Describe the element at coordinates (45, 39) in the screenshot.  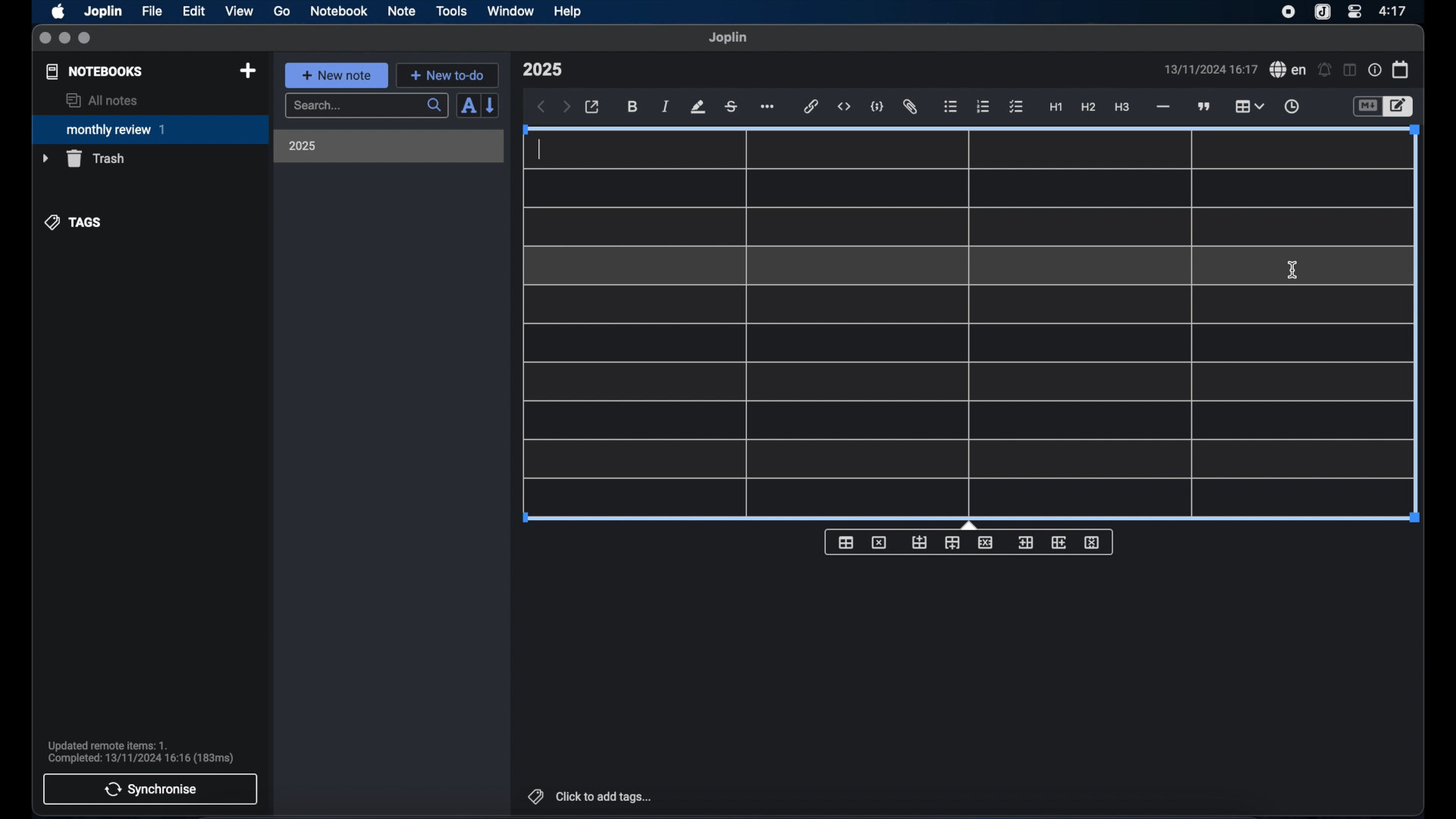
I see `close` at that location.